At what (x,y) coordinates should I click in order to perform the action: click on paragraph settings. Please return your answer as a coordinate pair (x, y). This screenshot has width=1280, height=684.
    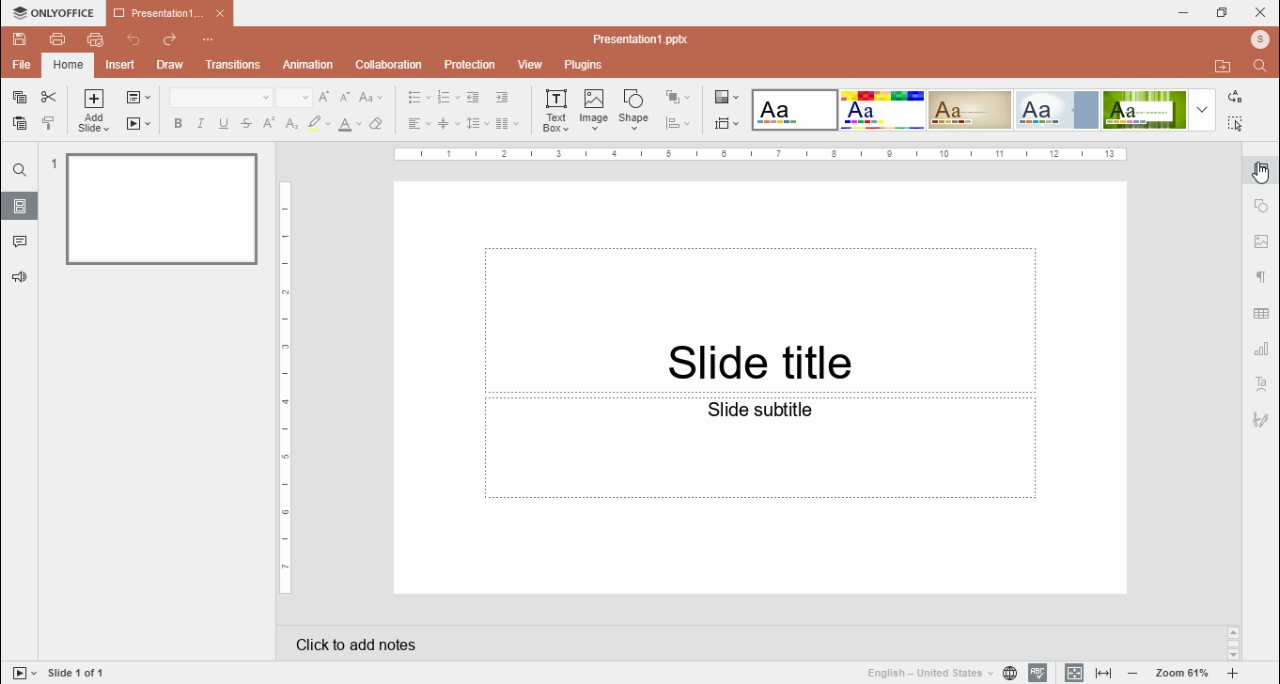
    Looking at the image, I should click on (1263, 276).